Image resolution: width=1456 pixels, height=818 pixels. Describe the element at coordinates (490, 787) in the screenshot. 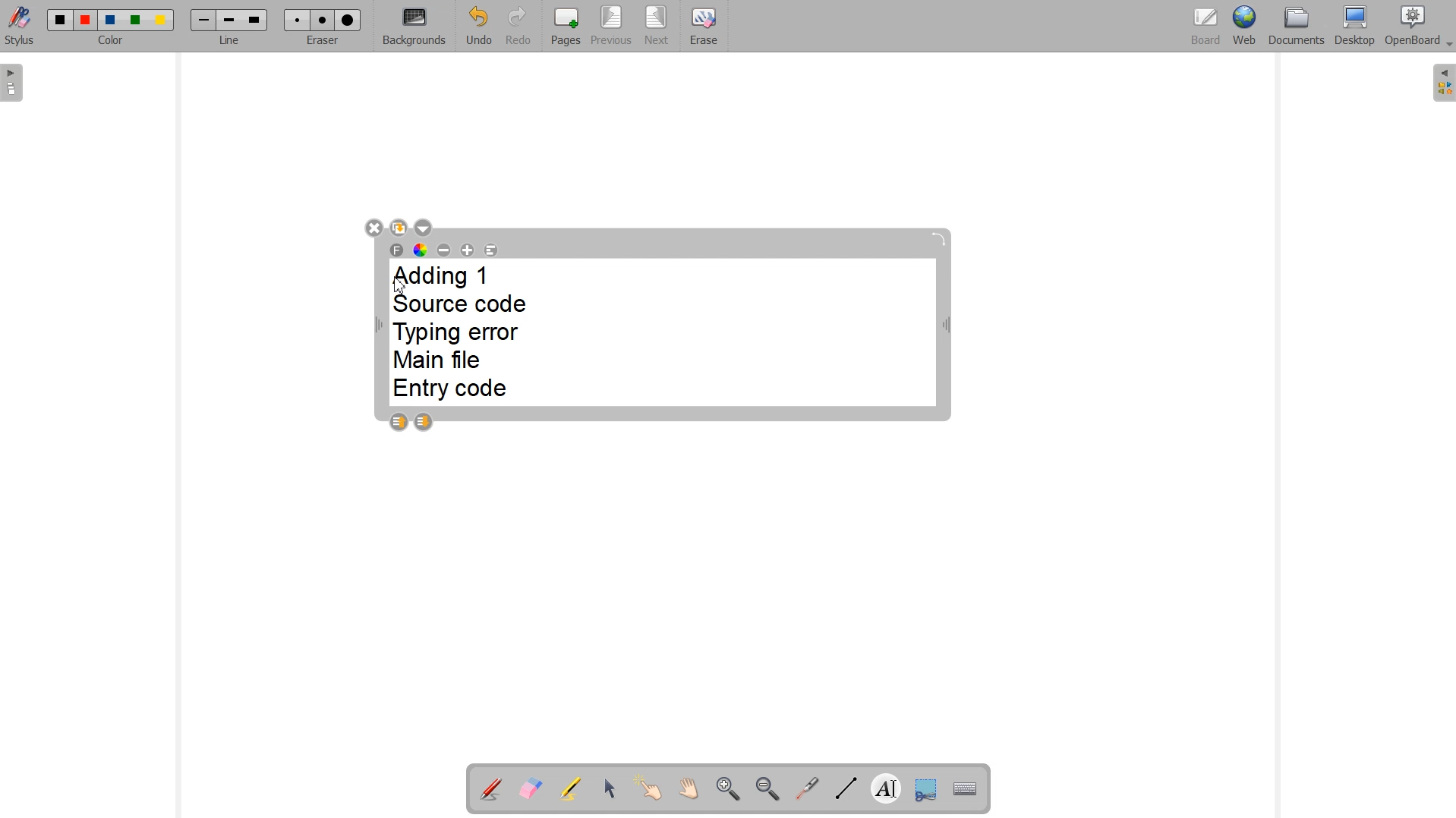

I see `Annotation document` at that location.